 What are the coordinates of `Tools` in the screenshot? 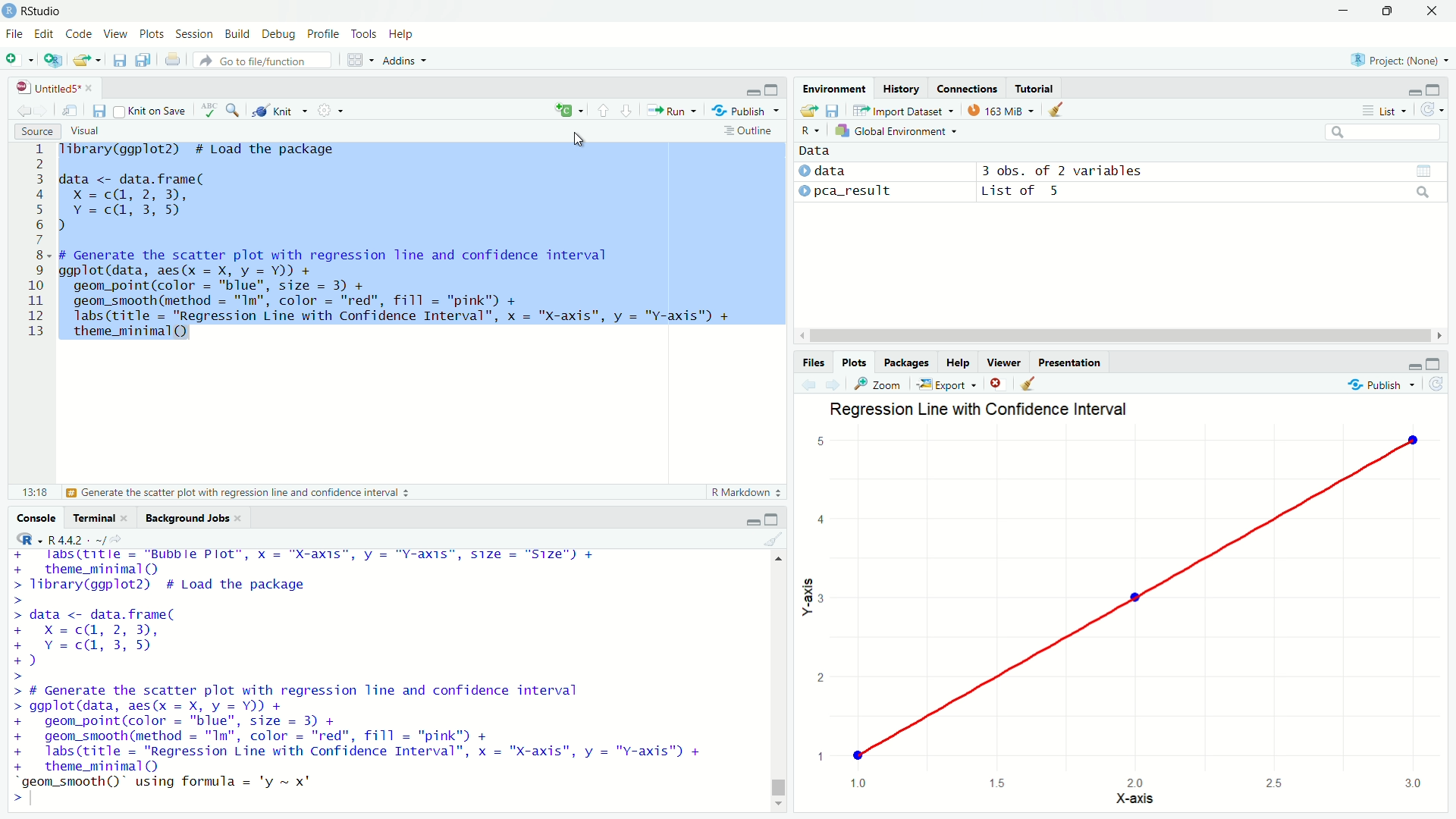 It's located at (364, 34).